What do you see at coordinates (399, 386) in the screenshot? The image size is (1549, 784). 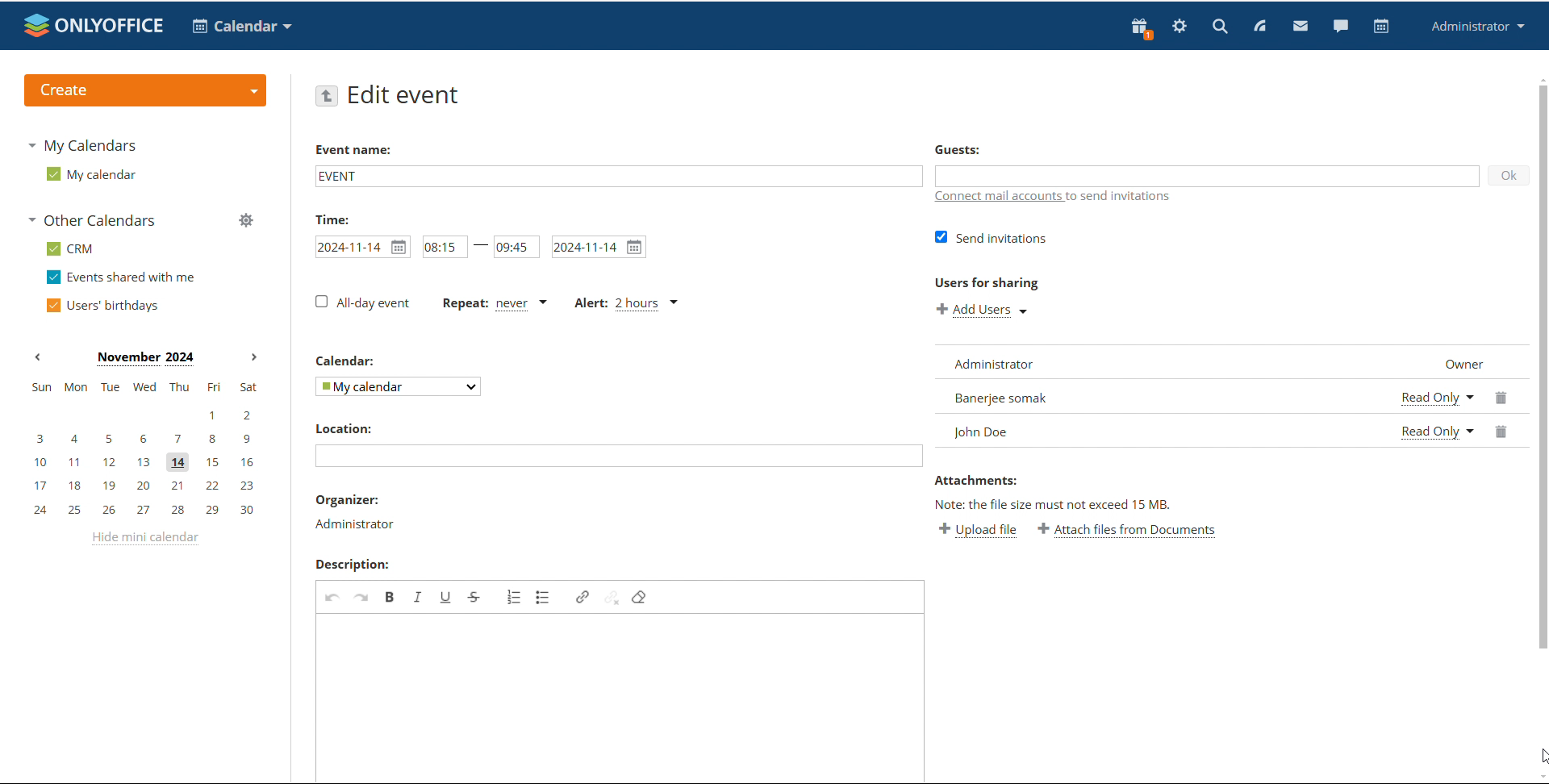 I see `select calendar` at bounding box center [399, 386].